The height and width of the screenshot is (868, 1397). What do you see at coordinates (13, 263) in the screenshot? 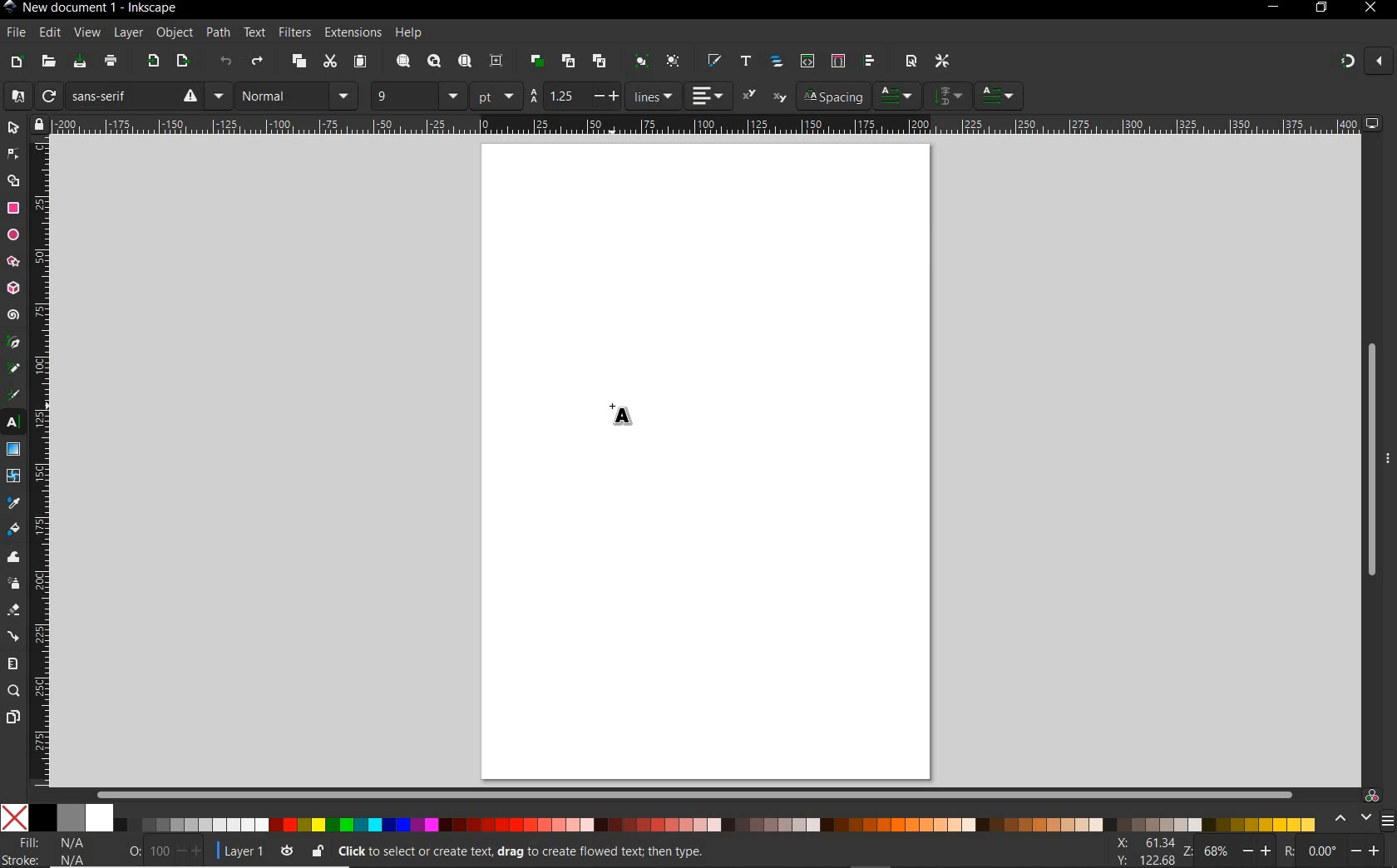
I see `star tool` at bounding box center [13, 263].